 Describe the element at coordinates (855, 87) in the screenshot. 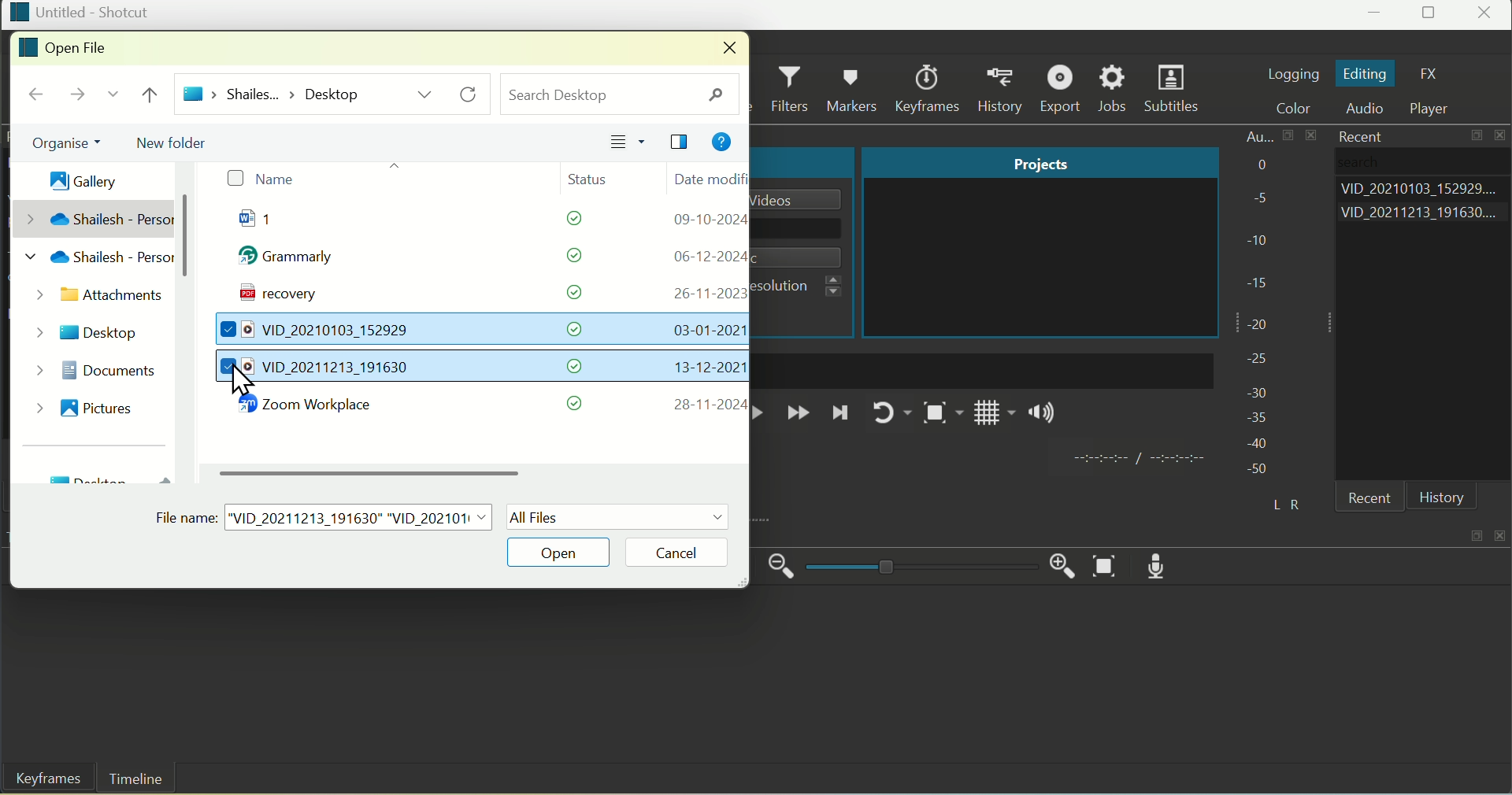

I see `Markers` at that location.